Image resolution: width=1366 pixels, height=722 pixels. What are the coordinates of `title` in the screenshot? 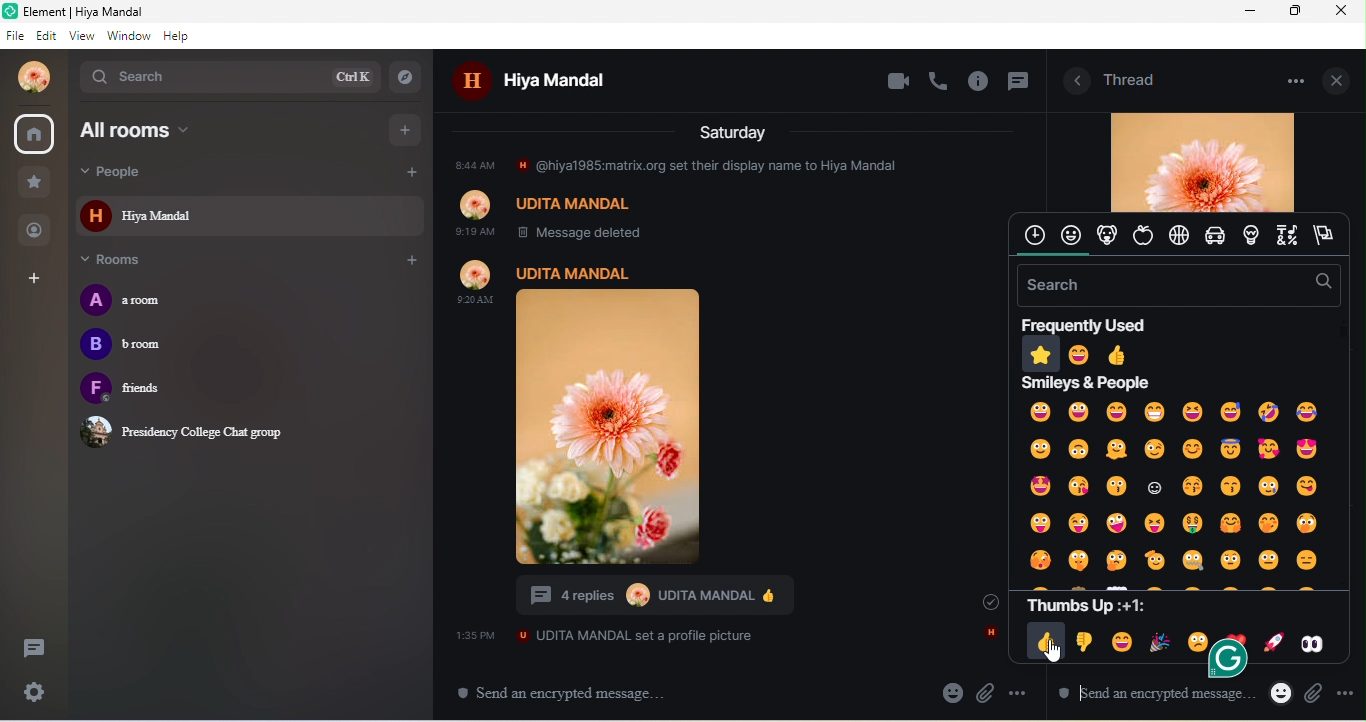 It's located at (101, 12).